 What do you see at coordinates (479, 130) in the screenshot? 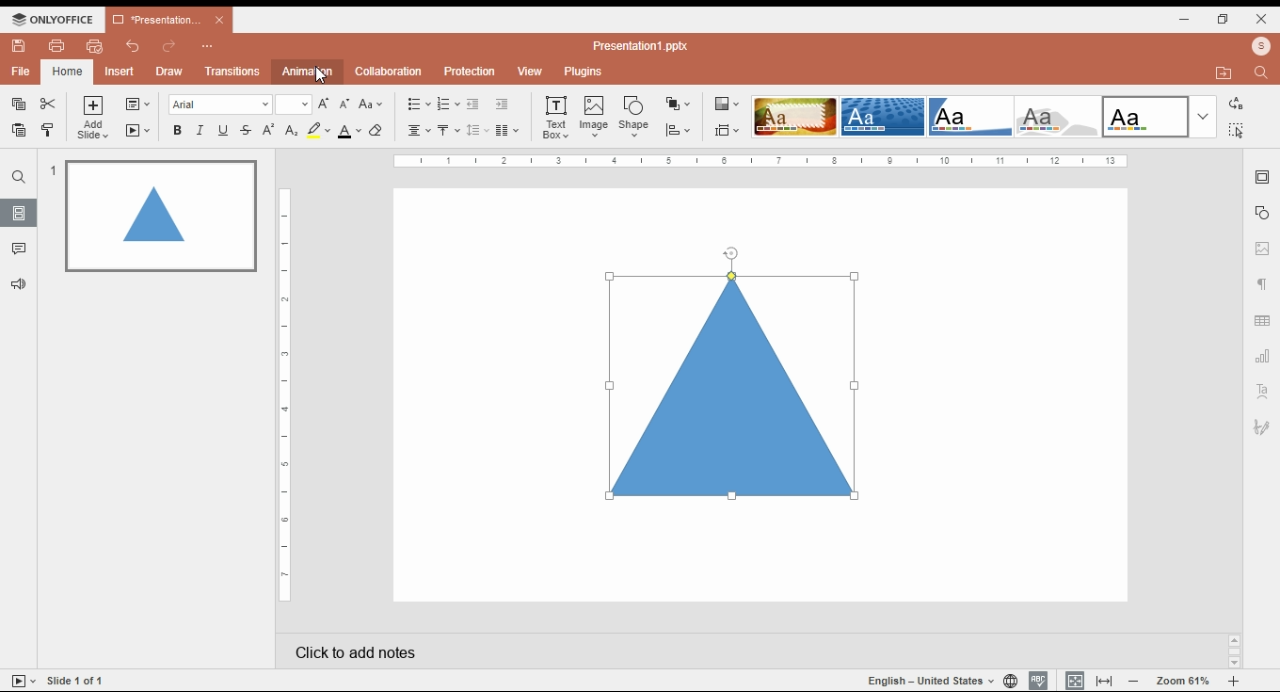
I see `line spacing` at bounding box center [479, 130].